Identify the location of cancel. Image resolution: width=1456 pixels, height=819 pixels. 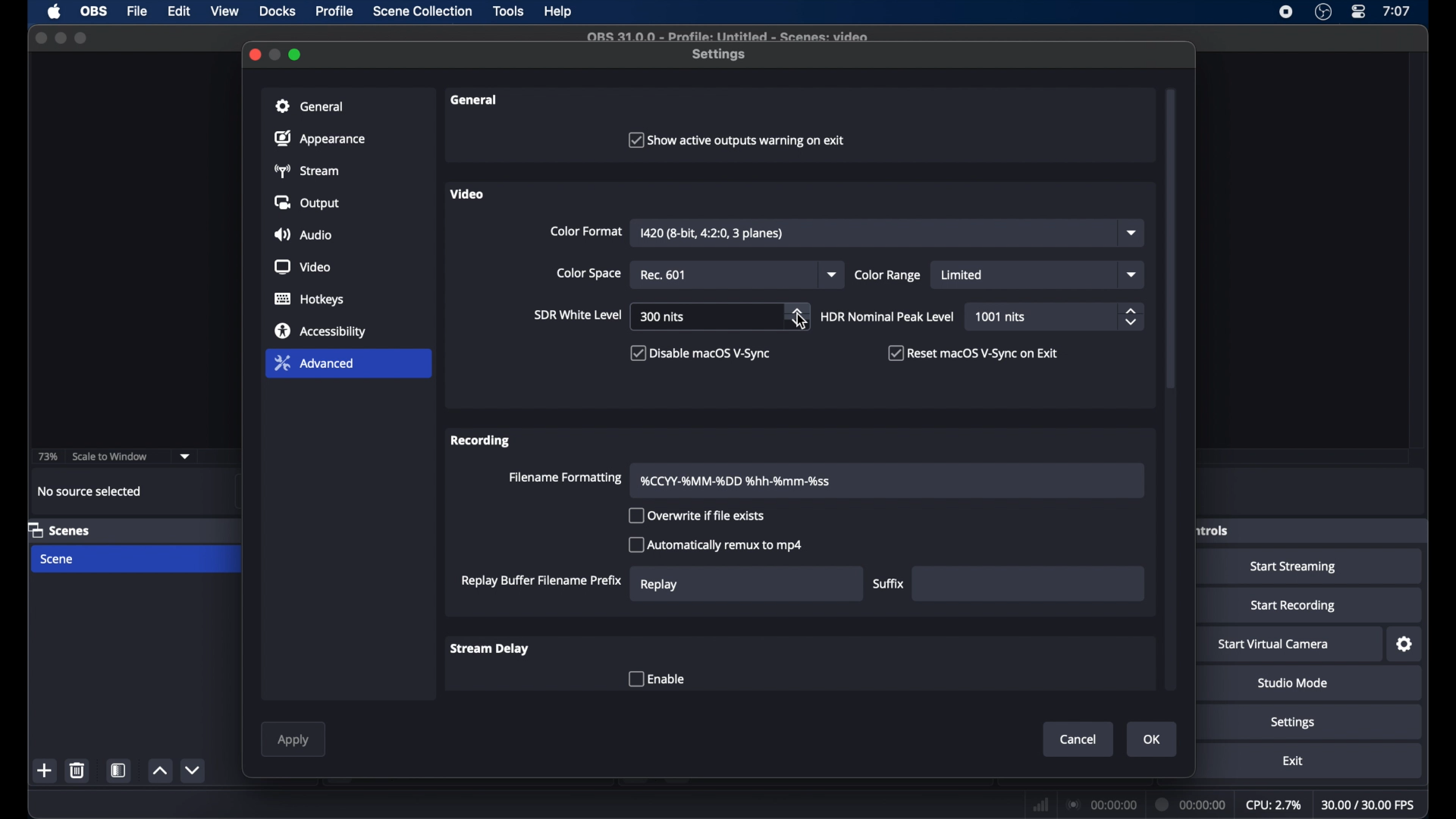
(1079, 739).